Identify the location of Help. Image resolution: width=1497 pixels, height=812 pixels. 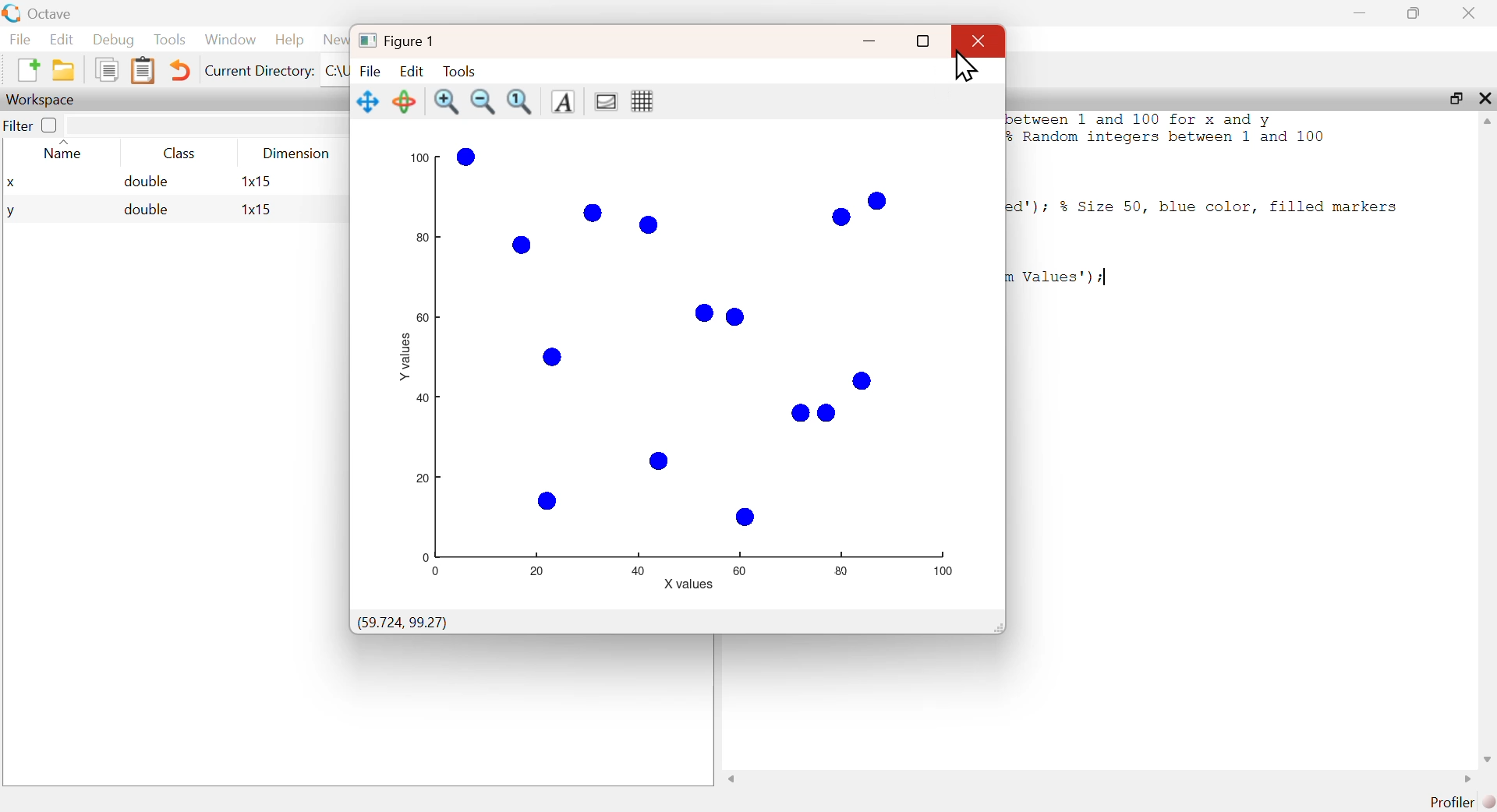
(289, 40).